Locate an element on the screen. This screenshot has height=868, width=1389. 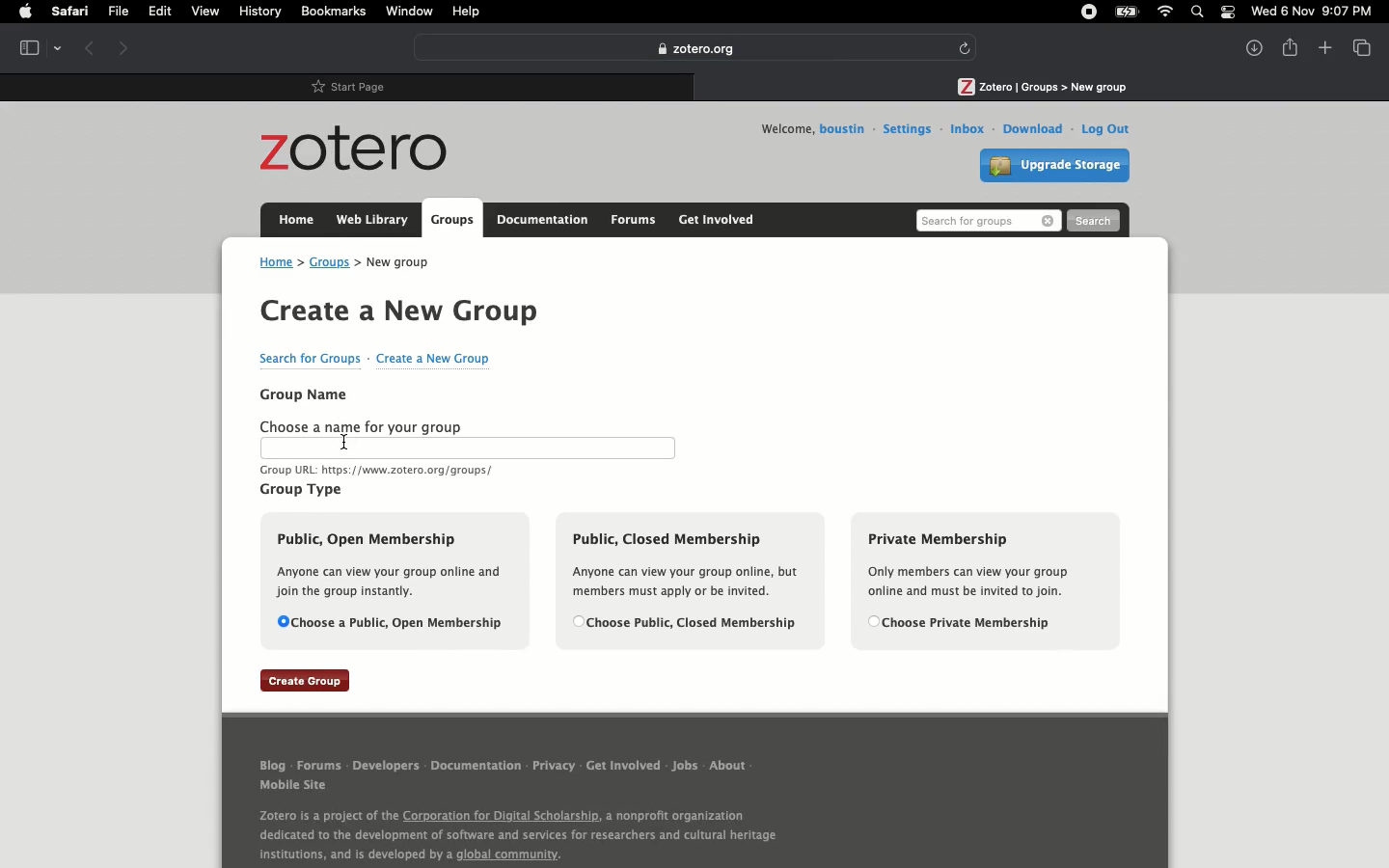
Bookmarks is located at coordinates (334, 12).